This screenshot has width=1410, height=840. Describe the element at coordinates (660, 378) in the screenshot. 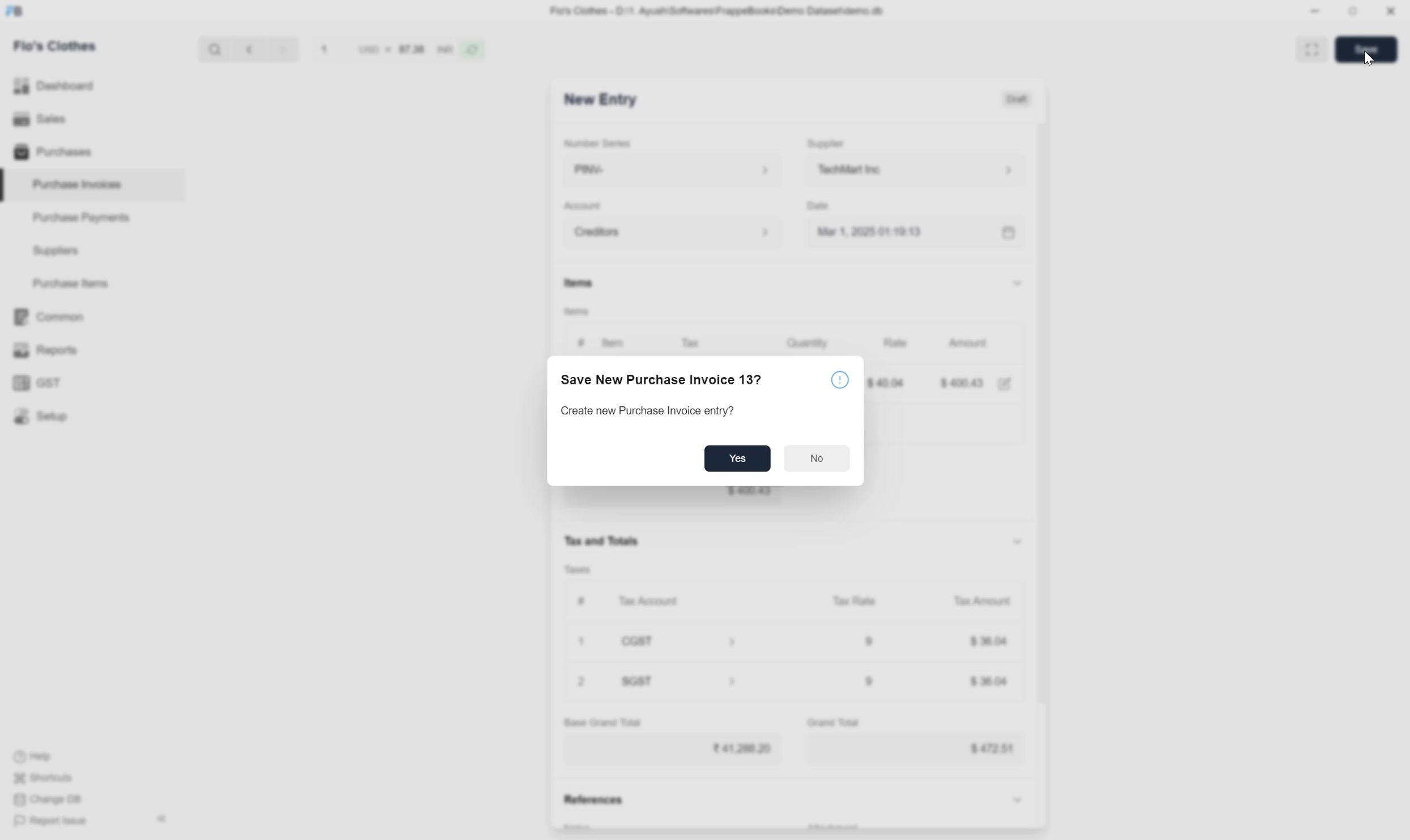

I see `Save New Purchase Invoice 13?` at that location.